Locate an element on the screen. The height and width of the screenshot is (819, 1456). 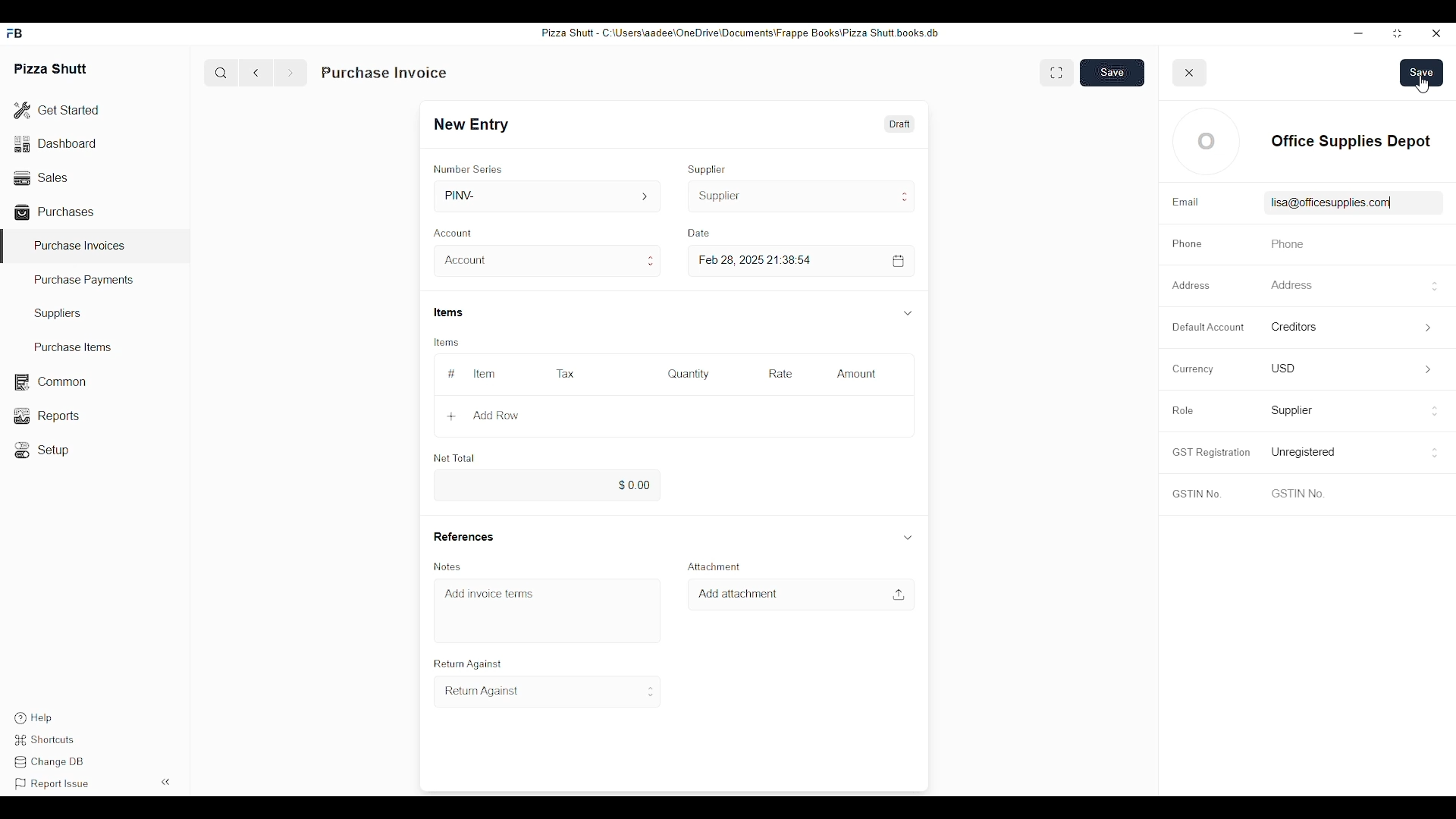
Purchase Invoices is located at coordinates (80, 245).